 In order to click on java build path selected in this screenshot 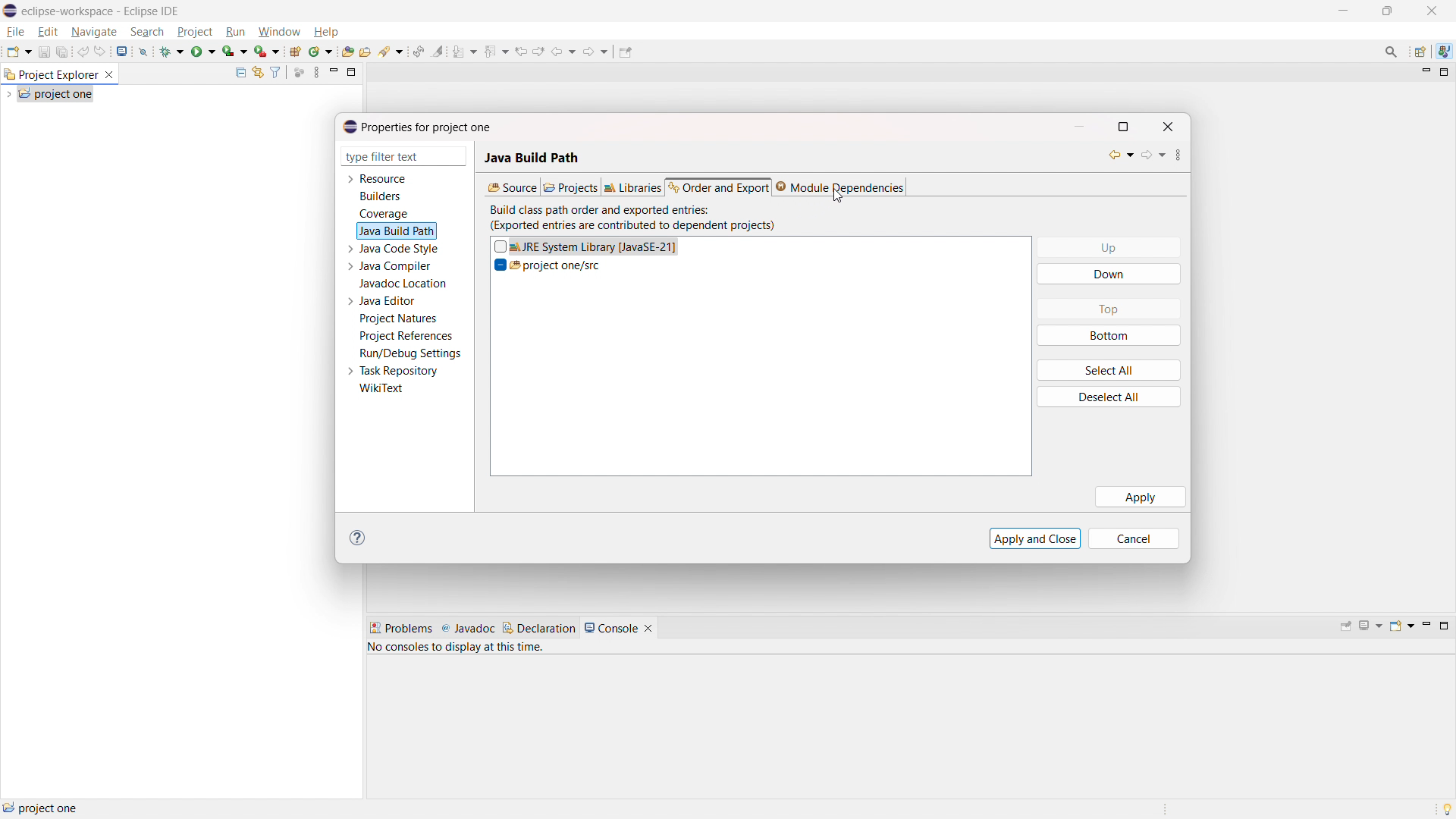, I will do `click(396, 231)`.